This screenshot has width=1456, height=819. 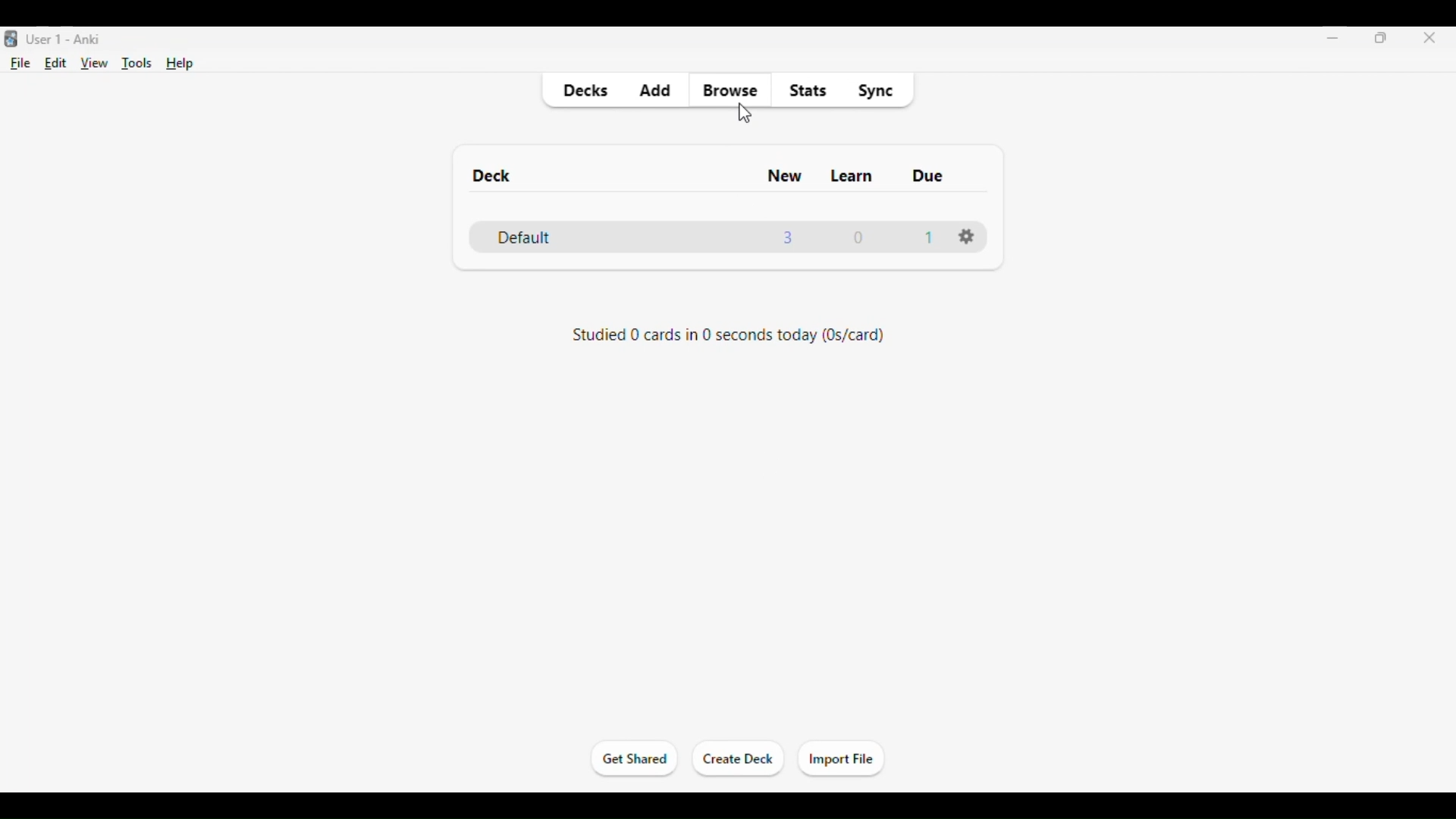 What do you see at coordinates (731, 91) in the screenshot?
I see `browse` at bounding box center [731, 91].